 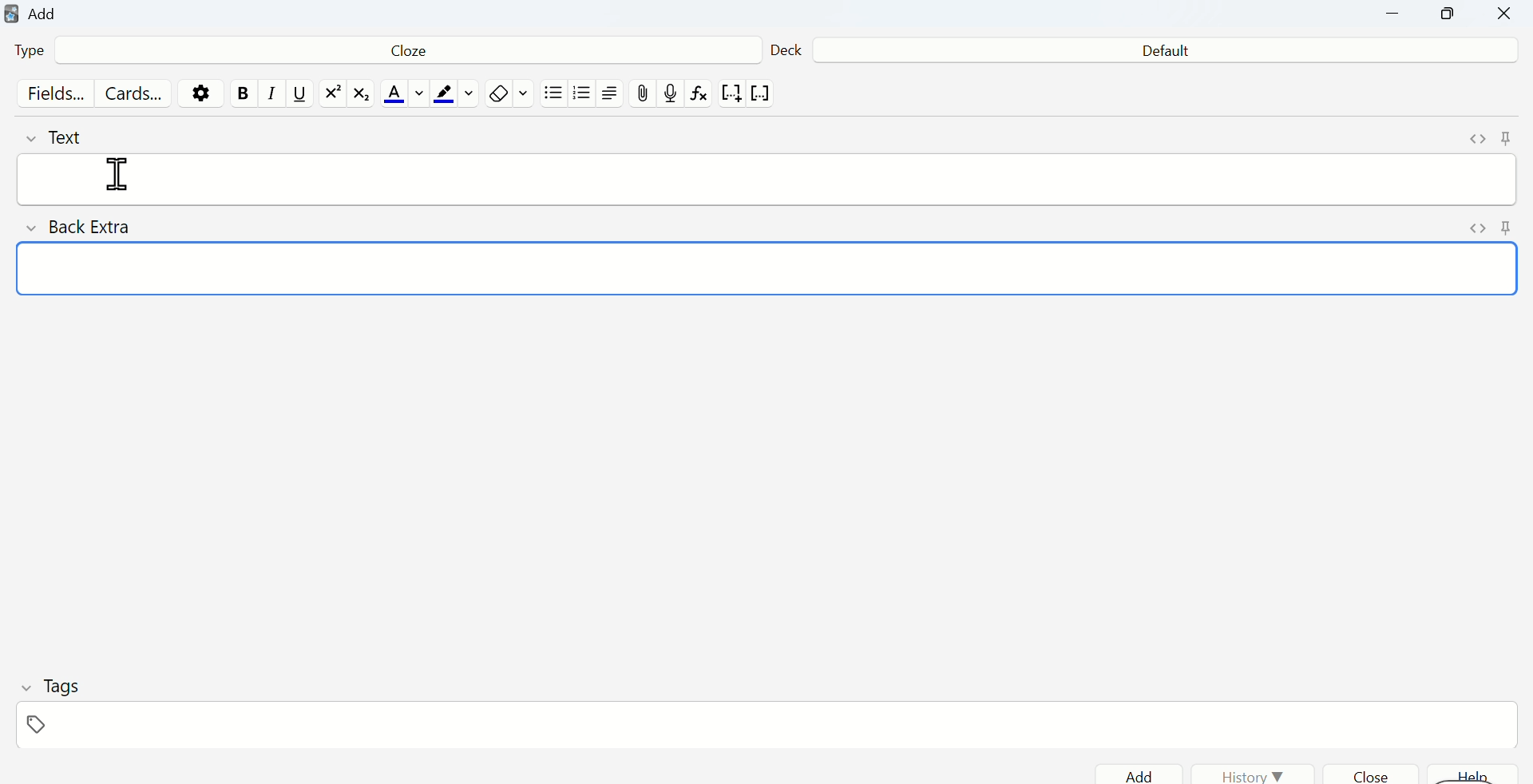 I want to click on Fields, so click(x=52, y=95).